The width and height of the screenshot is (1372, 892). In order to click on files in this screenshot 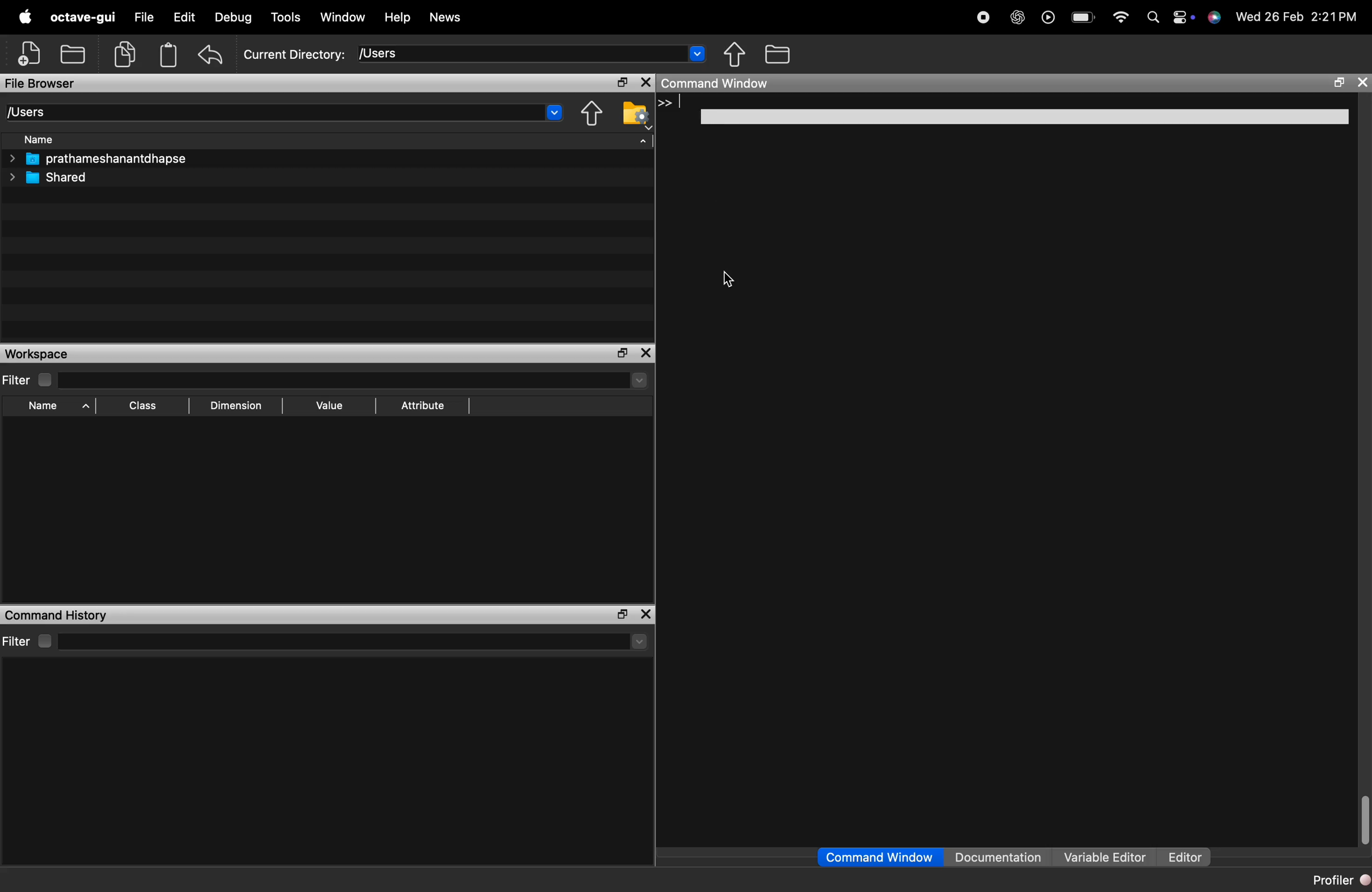, I will do `click(779, 54)`.